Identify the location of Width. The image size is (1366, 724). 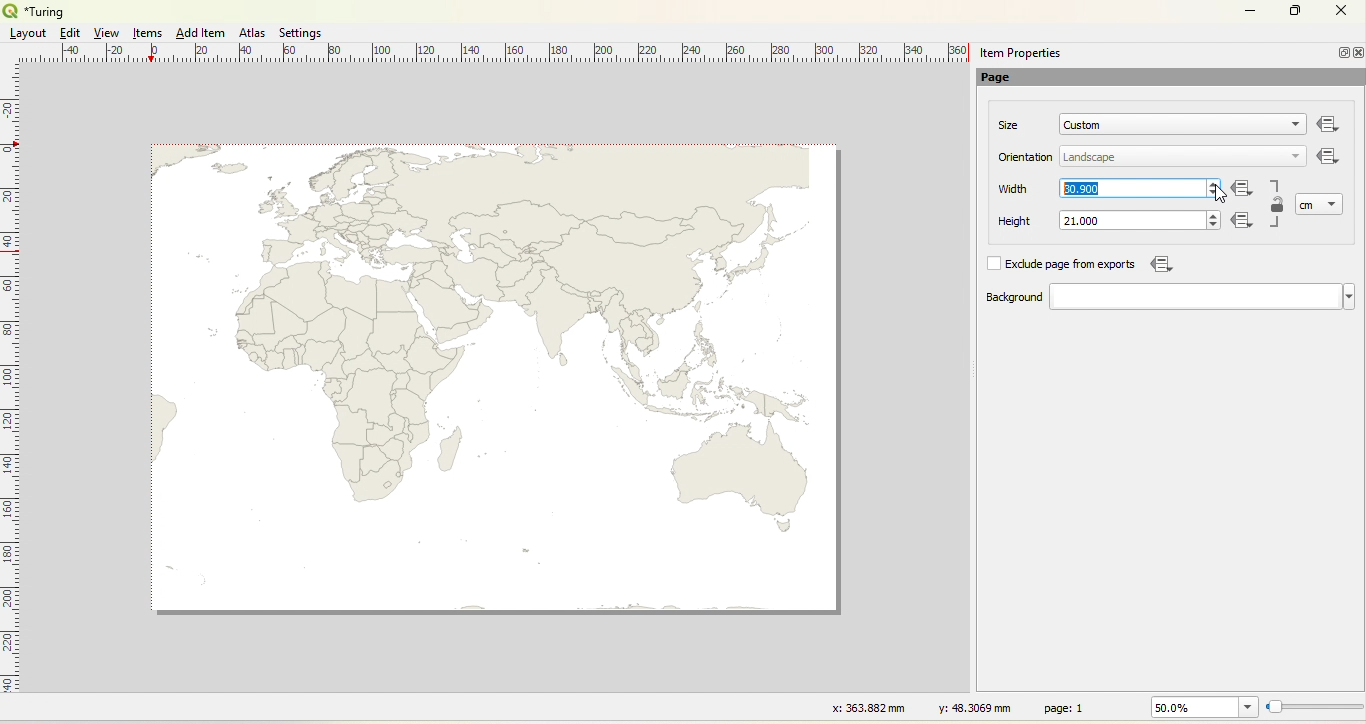
(1014, 189).